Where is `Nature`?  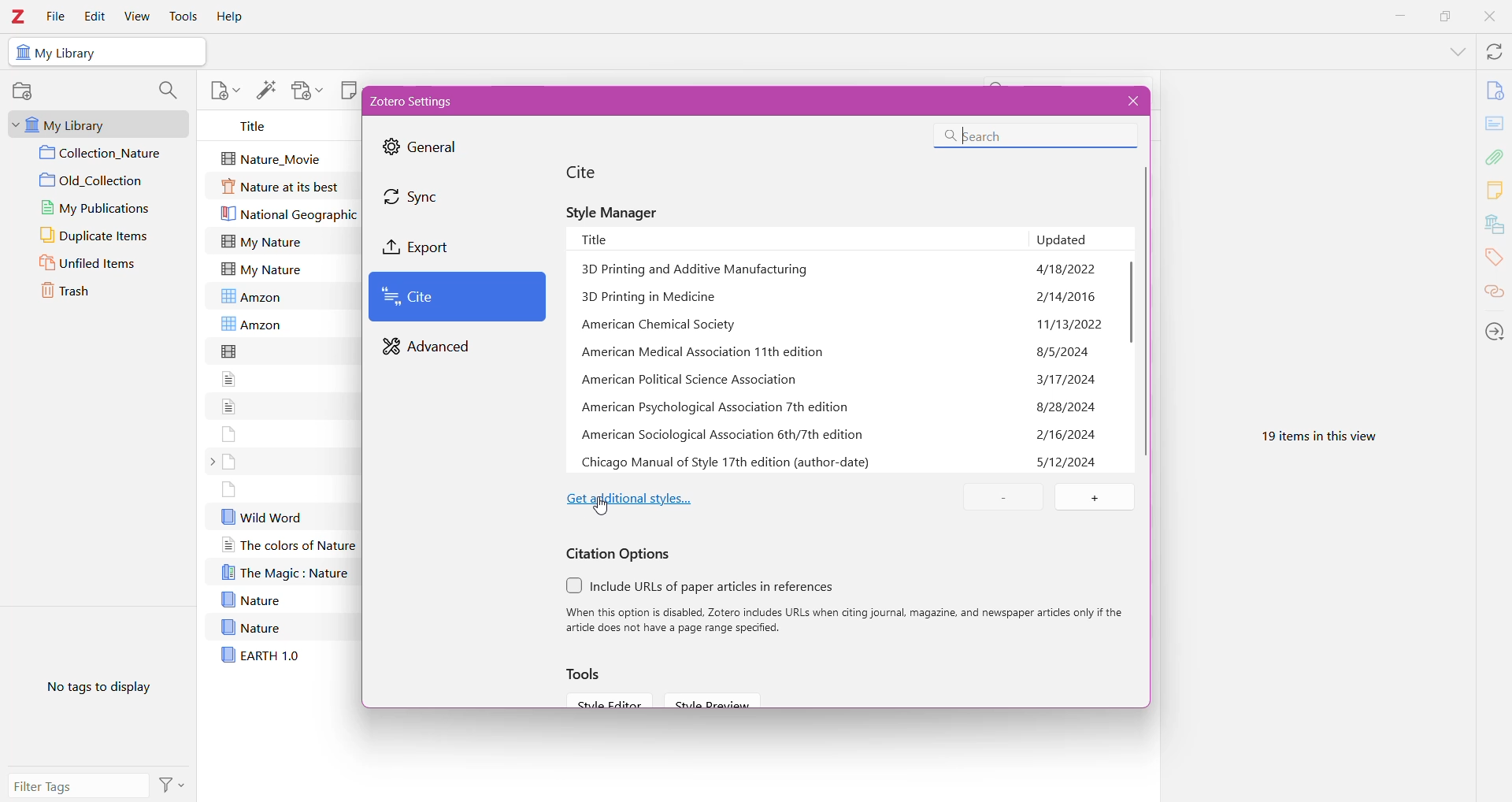
Nature is located at coordinates (250, 626).